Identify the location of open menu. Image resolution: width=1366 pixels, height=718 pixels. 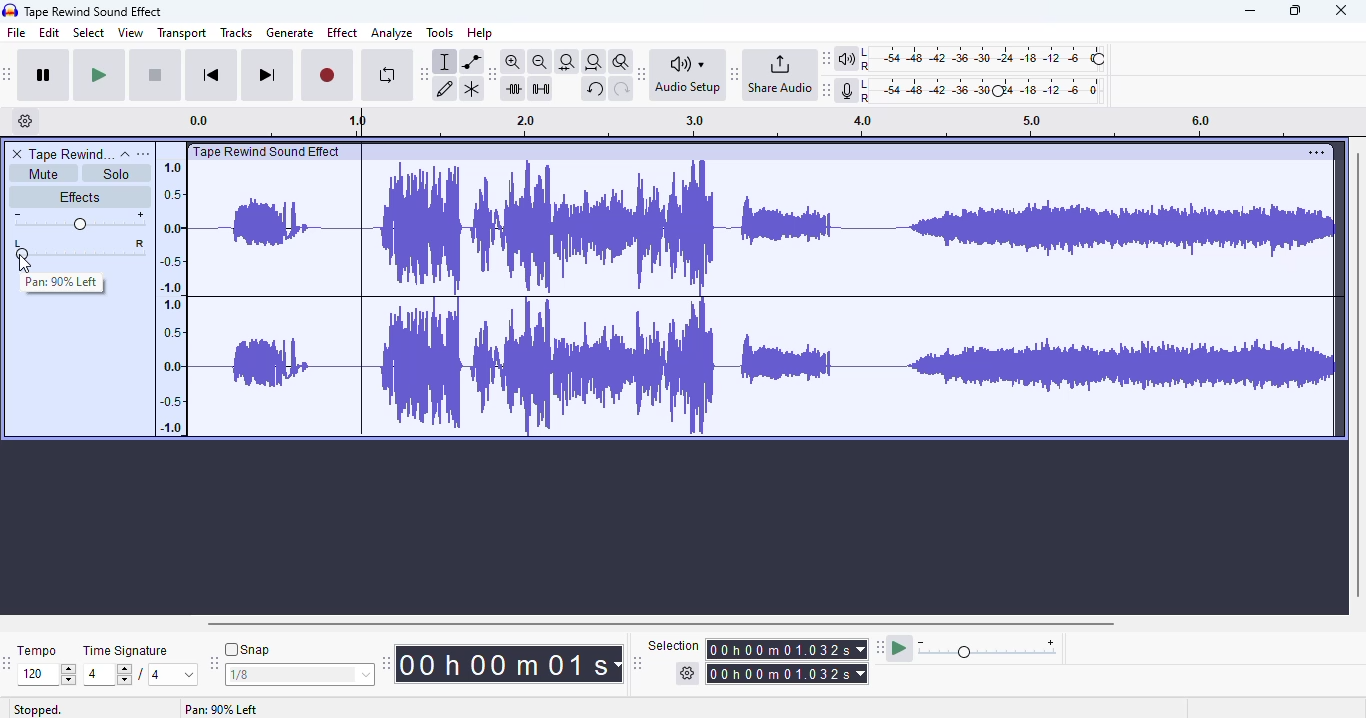
(143, 154).